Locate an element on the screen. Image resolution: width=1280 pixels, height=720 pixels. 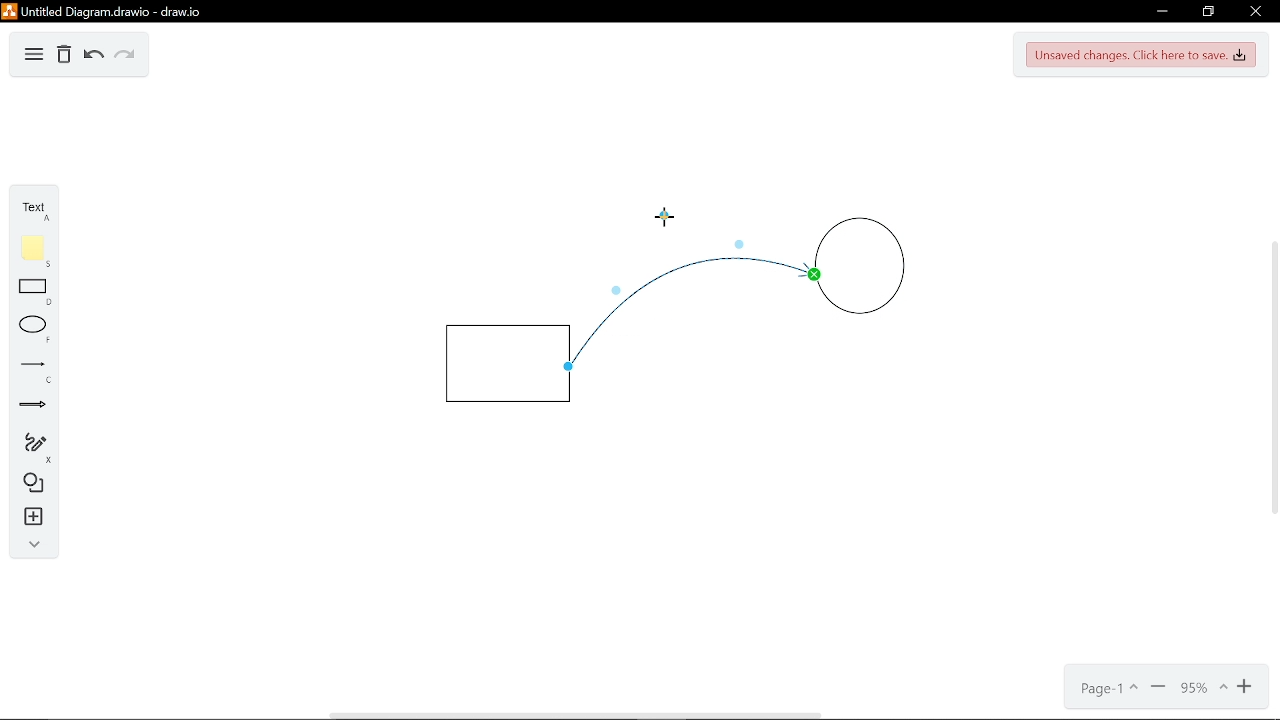
Restore down is located at coordinates (1210, 12).